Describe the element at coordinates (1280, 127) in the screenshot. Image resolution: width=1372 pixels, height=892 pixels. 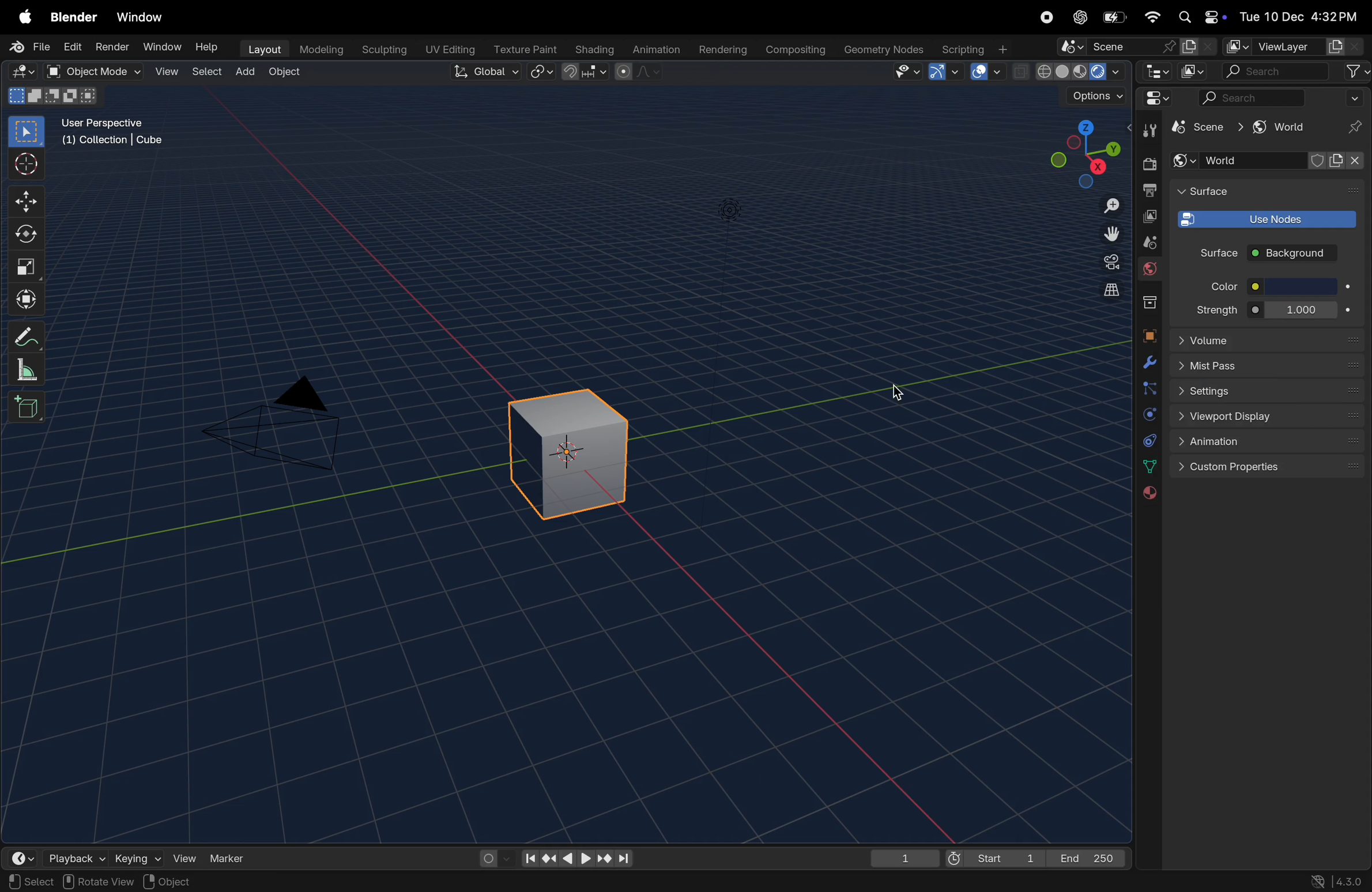
I see `world` at that location.